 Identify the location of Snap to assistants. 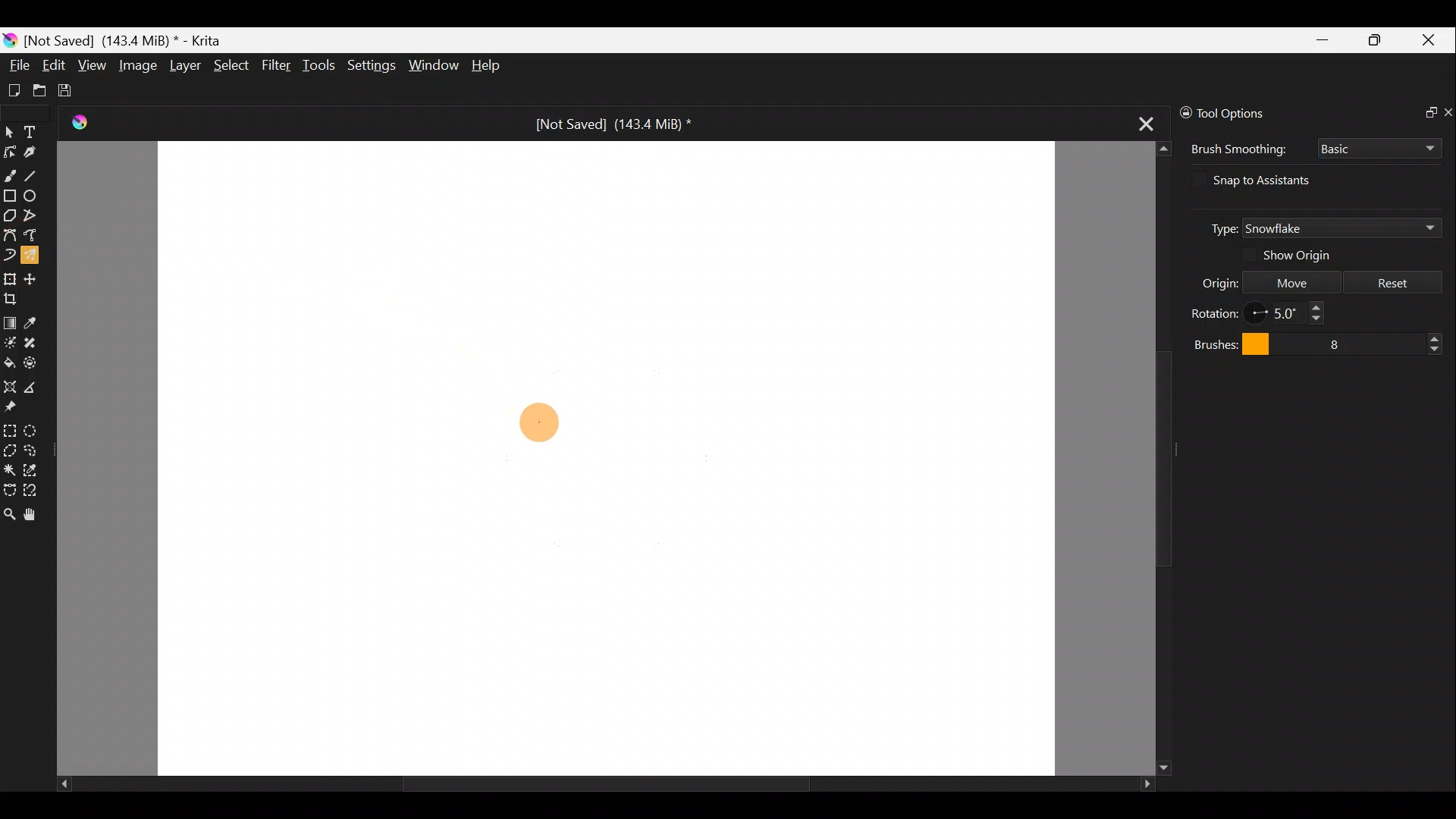
(1275, 180).